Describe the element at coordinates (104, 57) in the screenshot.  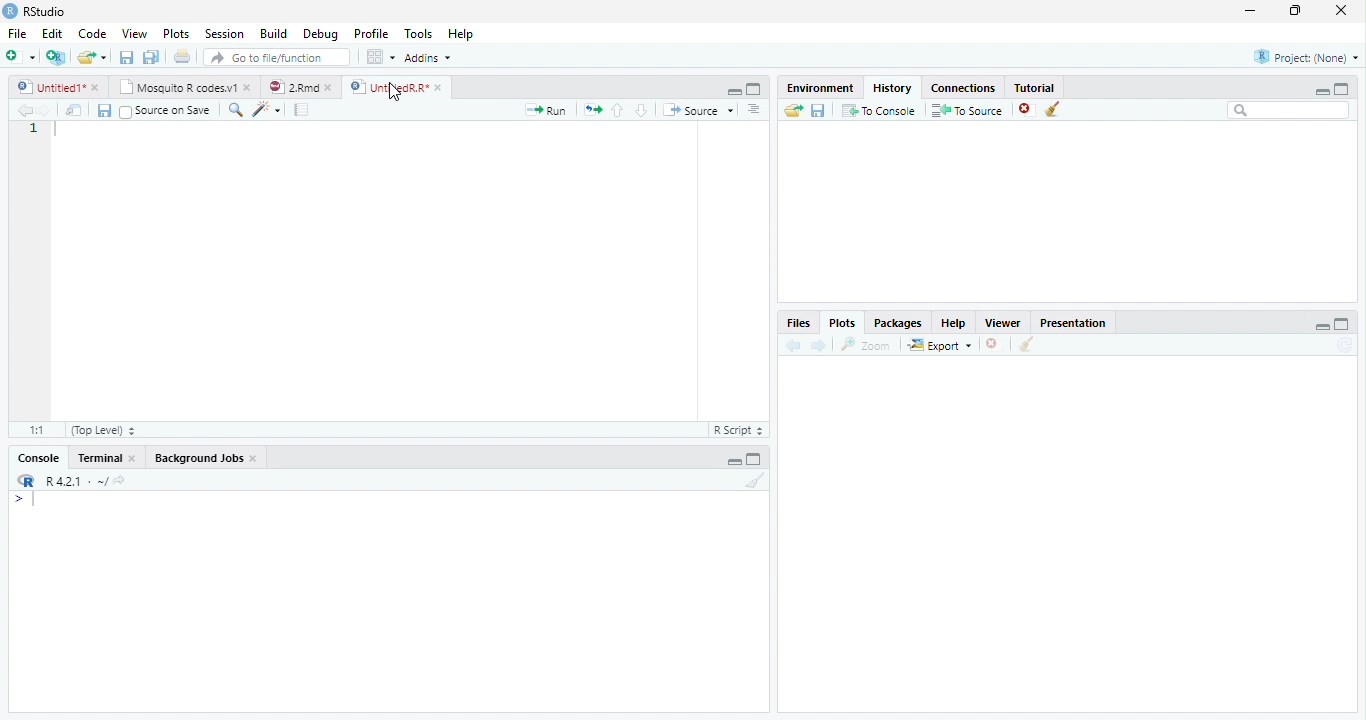
I see `Open recent files` at that location.